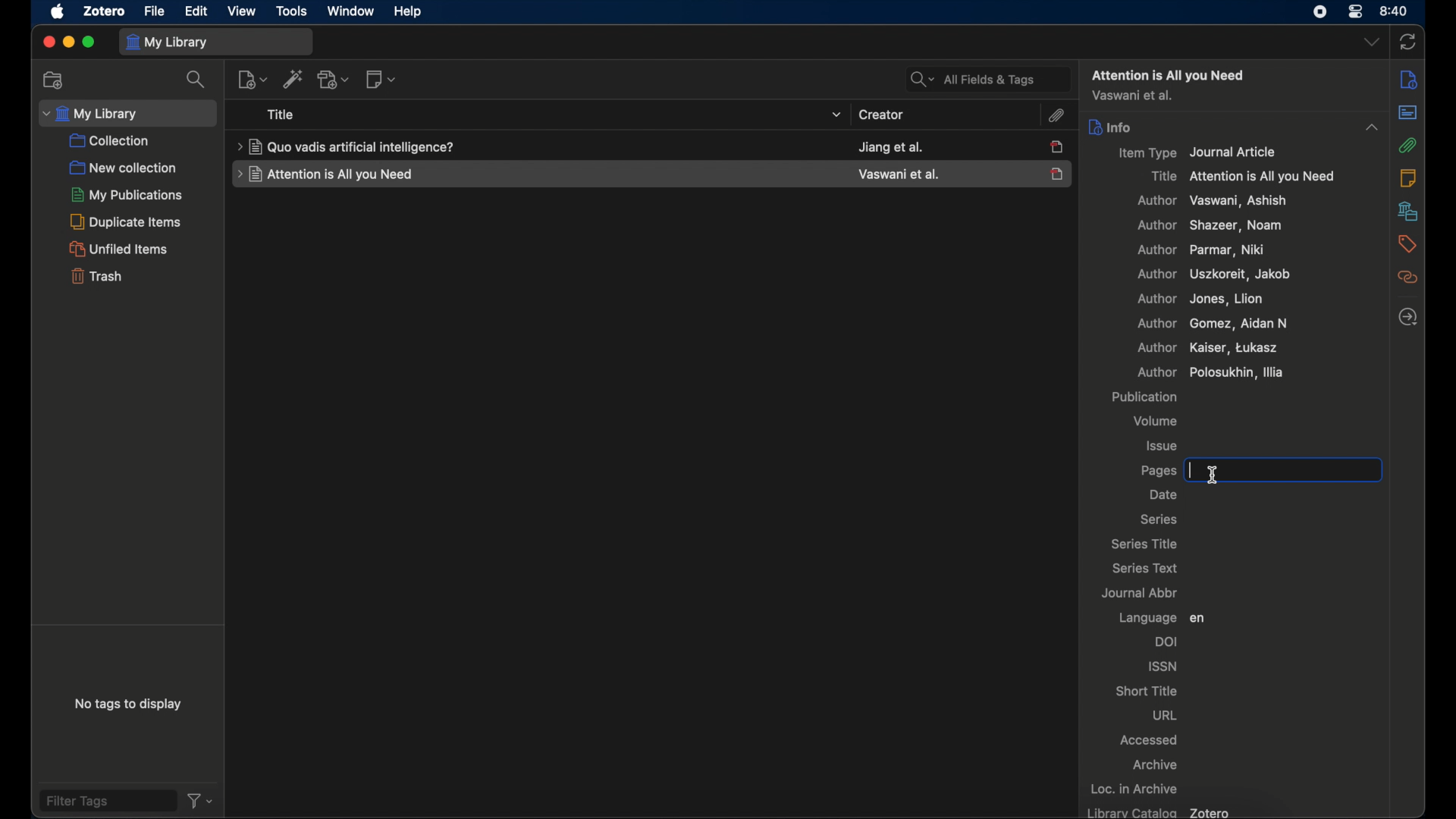 The height and width of the screenshot is (819, 1456). What do you see at coordinates (325, 174) in the screenshot?
I see `title` at bounding box center [325, 174].